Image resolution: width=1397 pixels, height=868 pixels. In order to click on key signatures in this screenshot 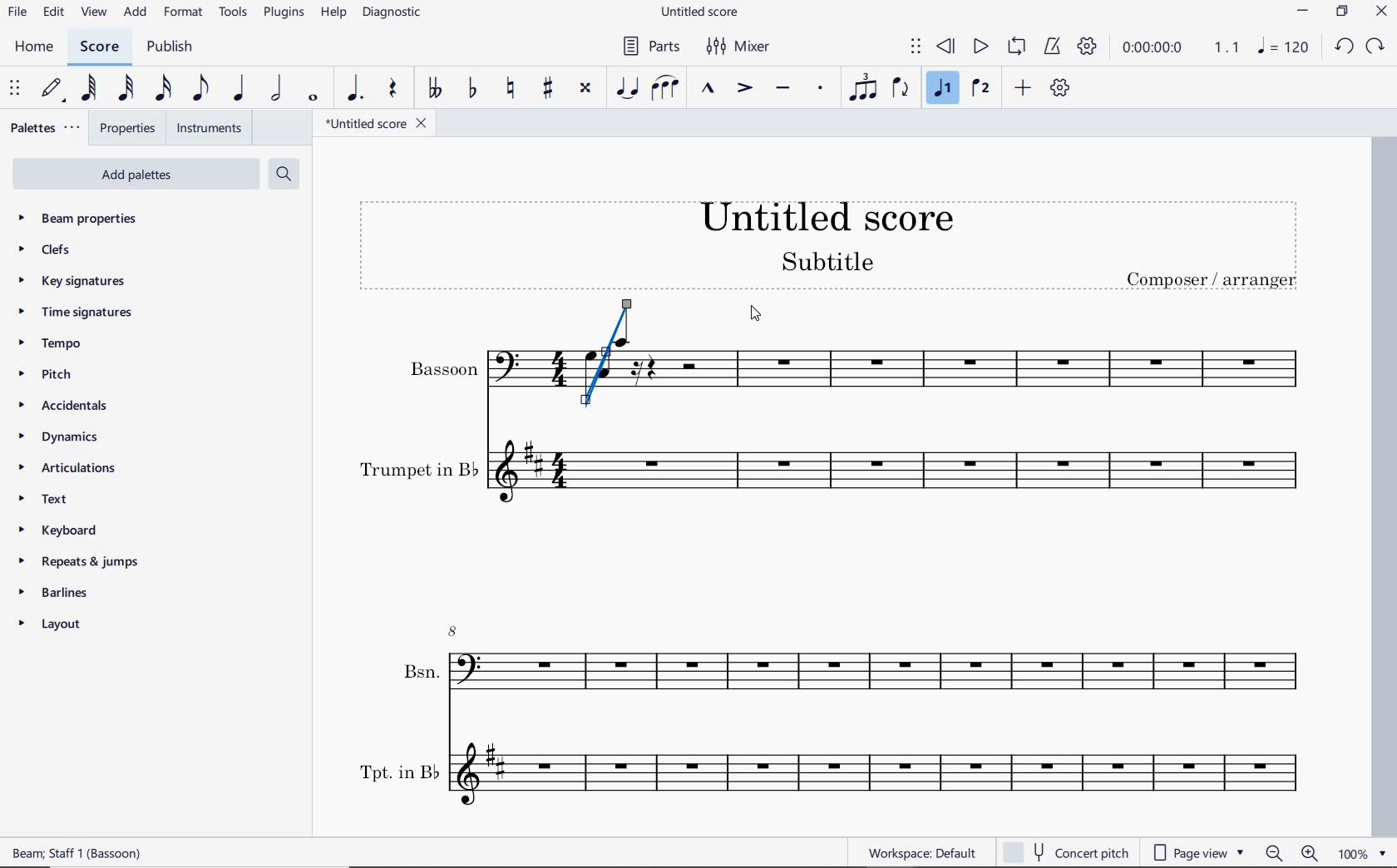, I will do `click(68, 282)`.